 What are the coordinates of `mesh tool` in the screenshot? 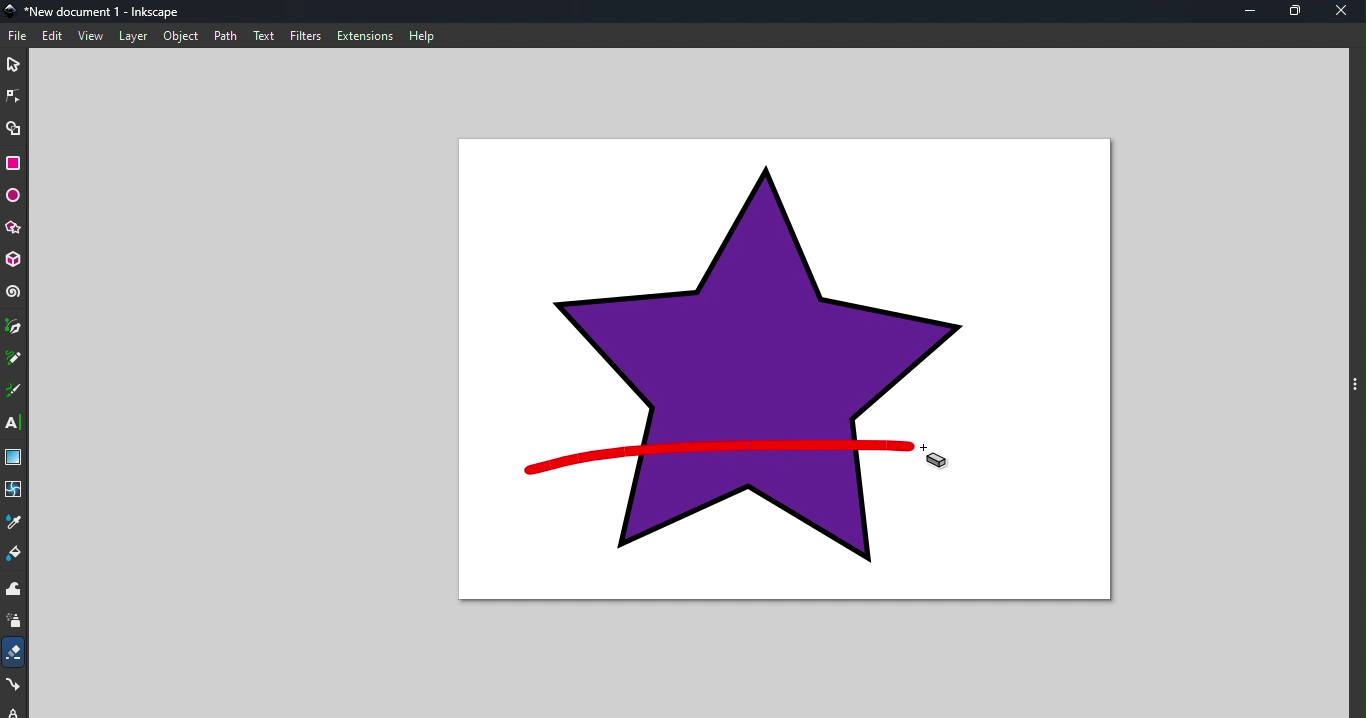 It's located at (15, 489).